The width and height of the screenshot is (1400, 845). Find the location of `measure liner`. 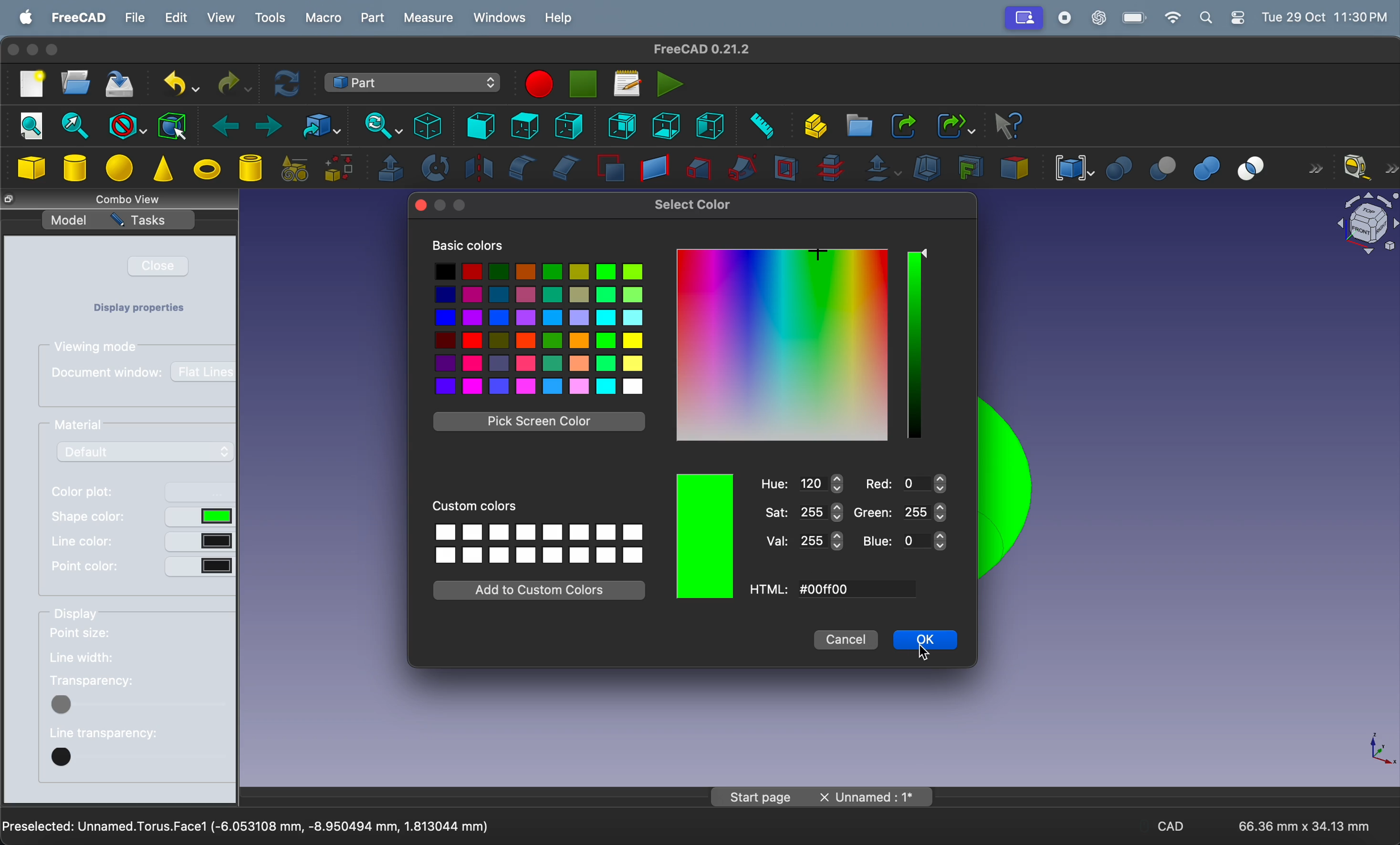

measure liner is located at coordinates (1370, 168).